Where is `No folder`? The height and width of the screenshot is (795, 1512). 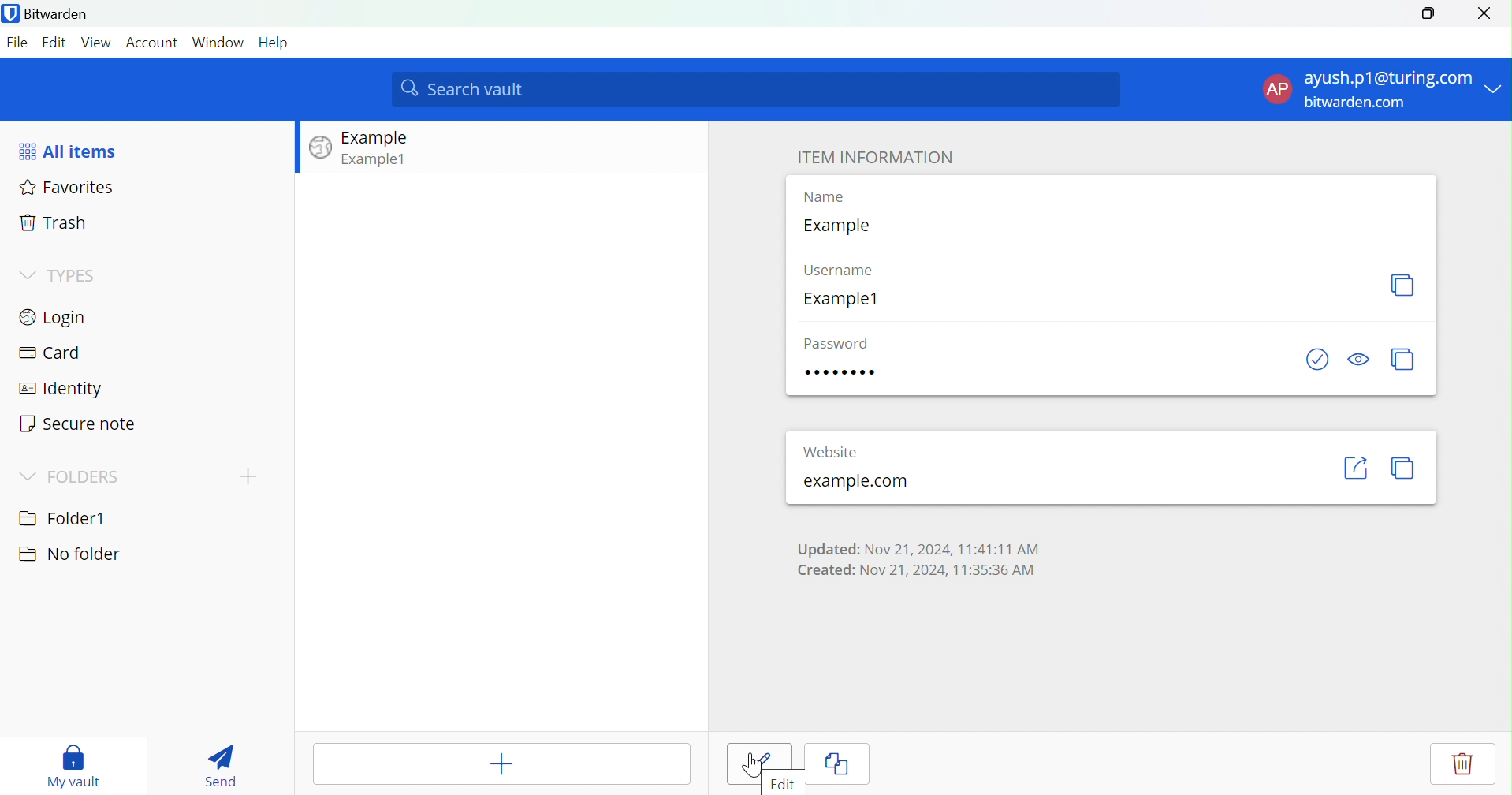 No folder is located at coordinates (69, 554).